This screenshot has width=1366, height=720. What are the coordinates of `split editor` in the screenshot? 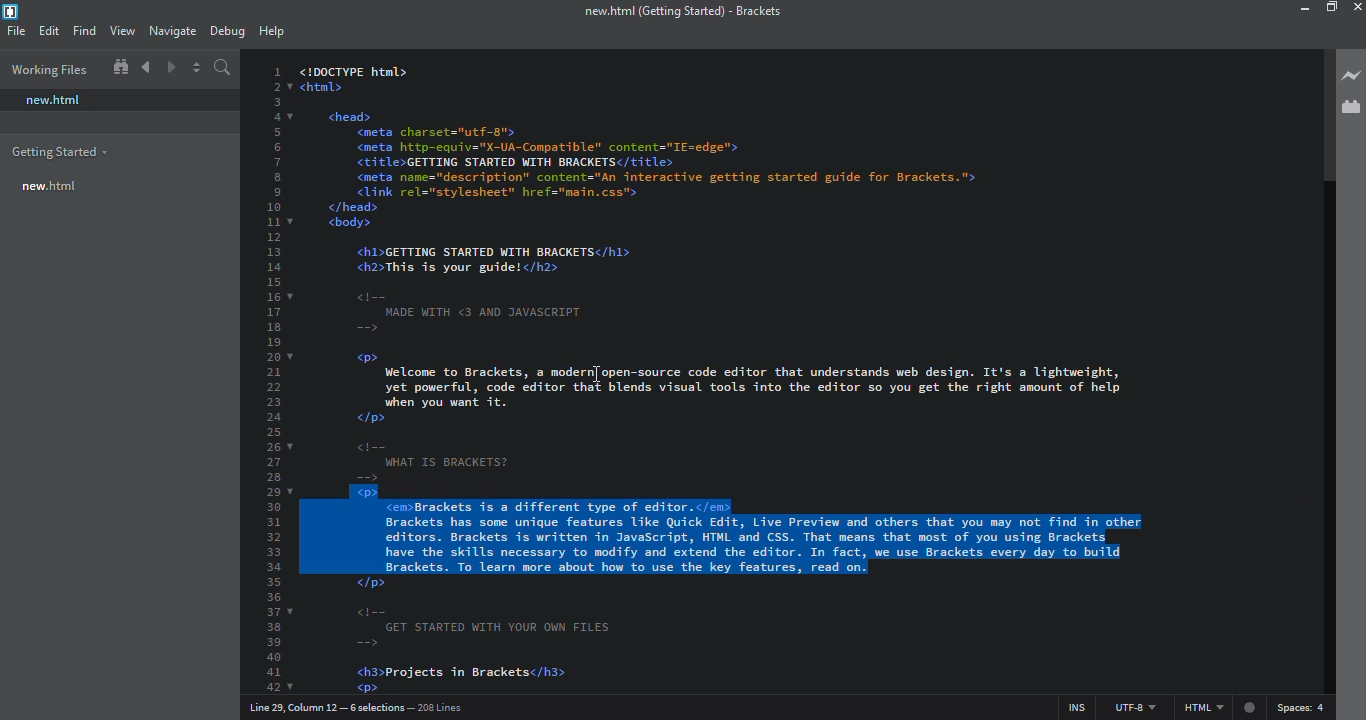 It's located at (196, 66).